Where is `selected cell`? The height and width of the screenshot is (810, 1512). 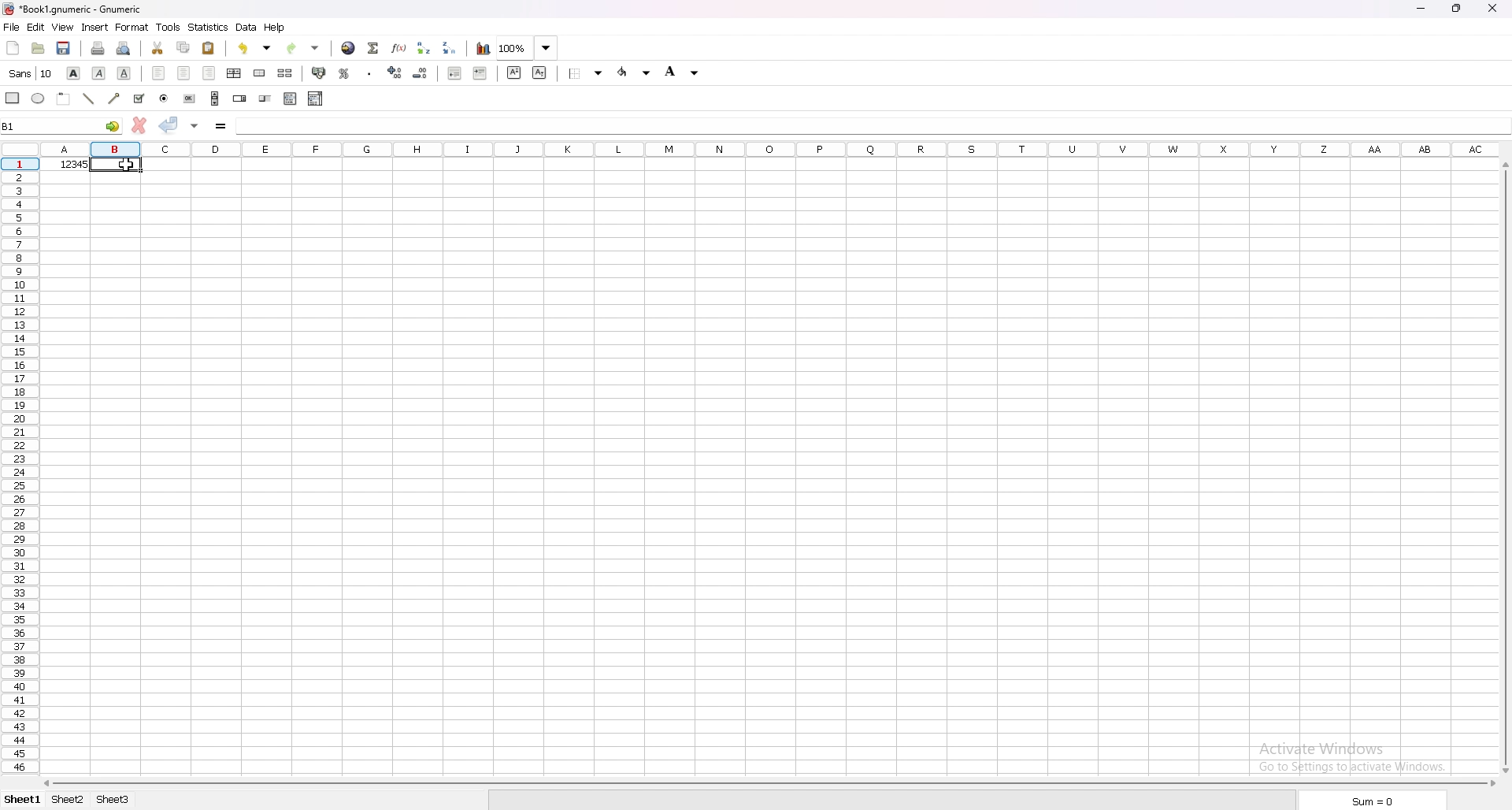 selected cell is located at coordinates (88, 127).